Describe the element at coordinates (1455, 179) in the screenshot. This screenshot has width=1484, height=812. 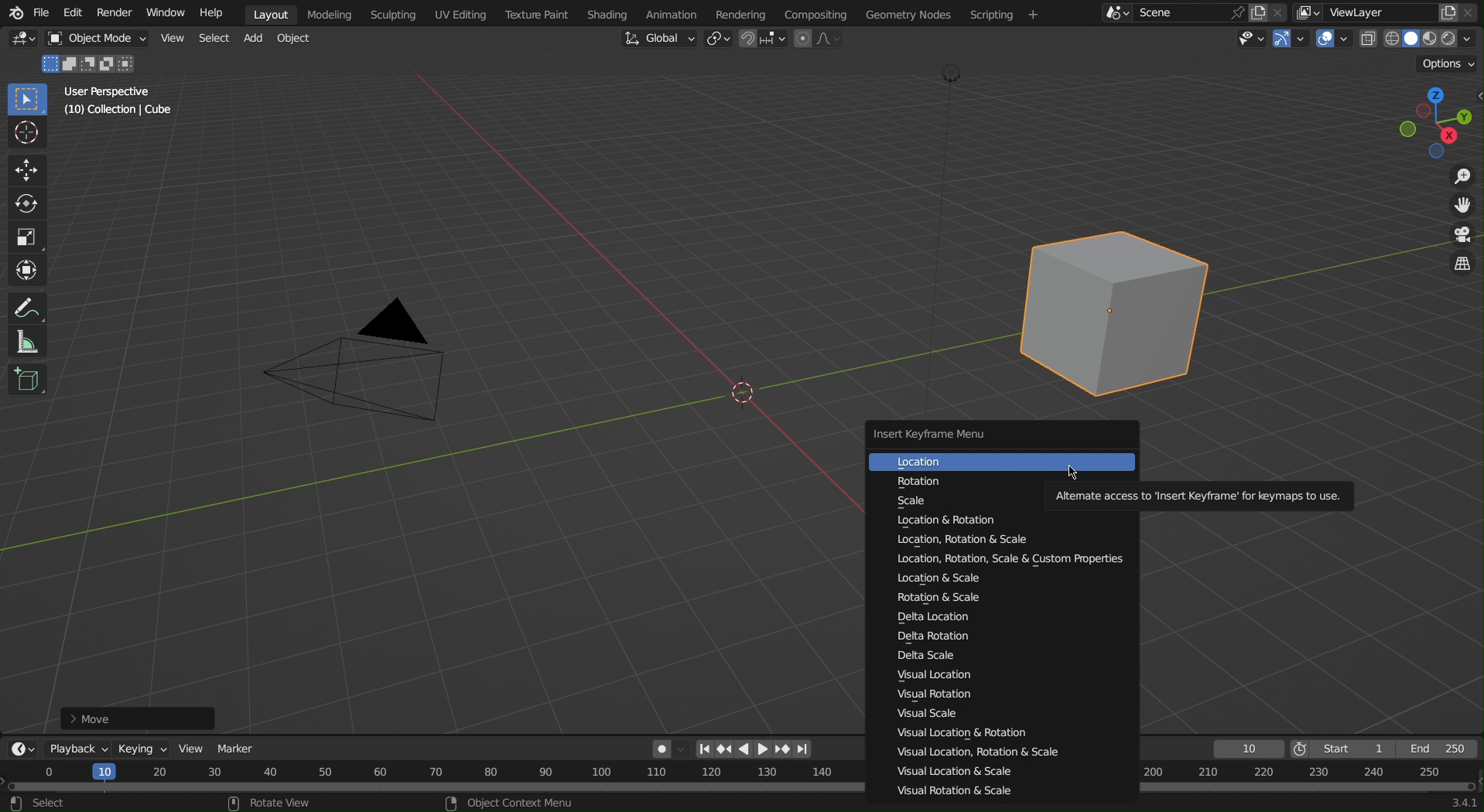
I see `Zoom` at that location.